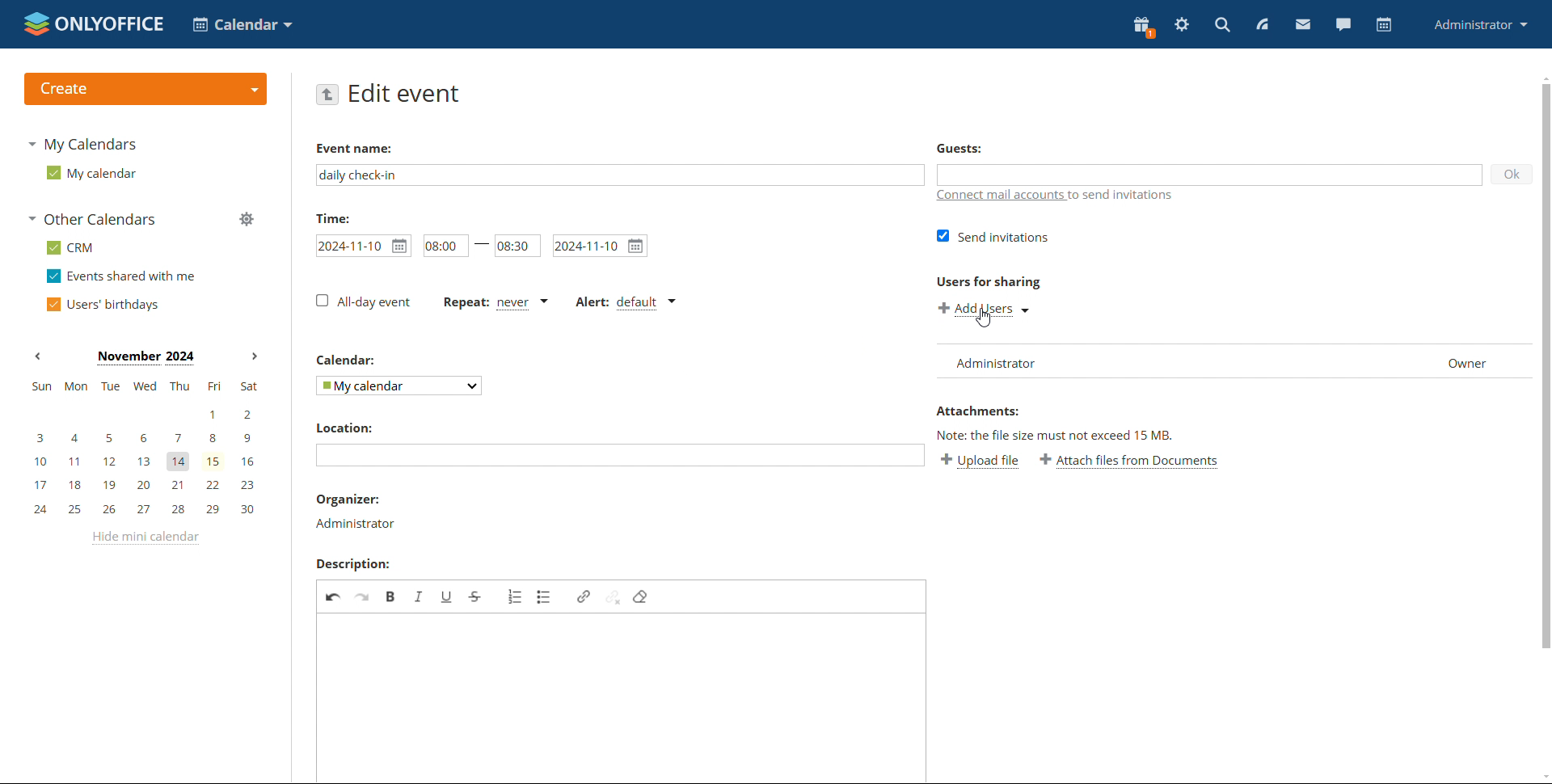 The height and width of the screenshot is (784, 1552). Describe the element at coordinates (625, 303) in the screenshot. I see `alert type` at that location.